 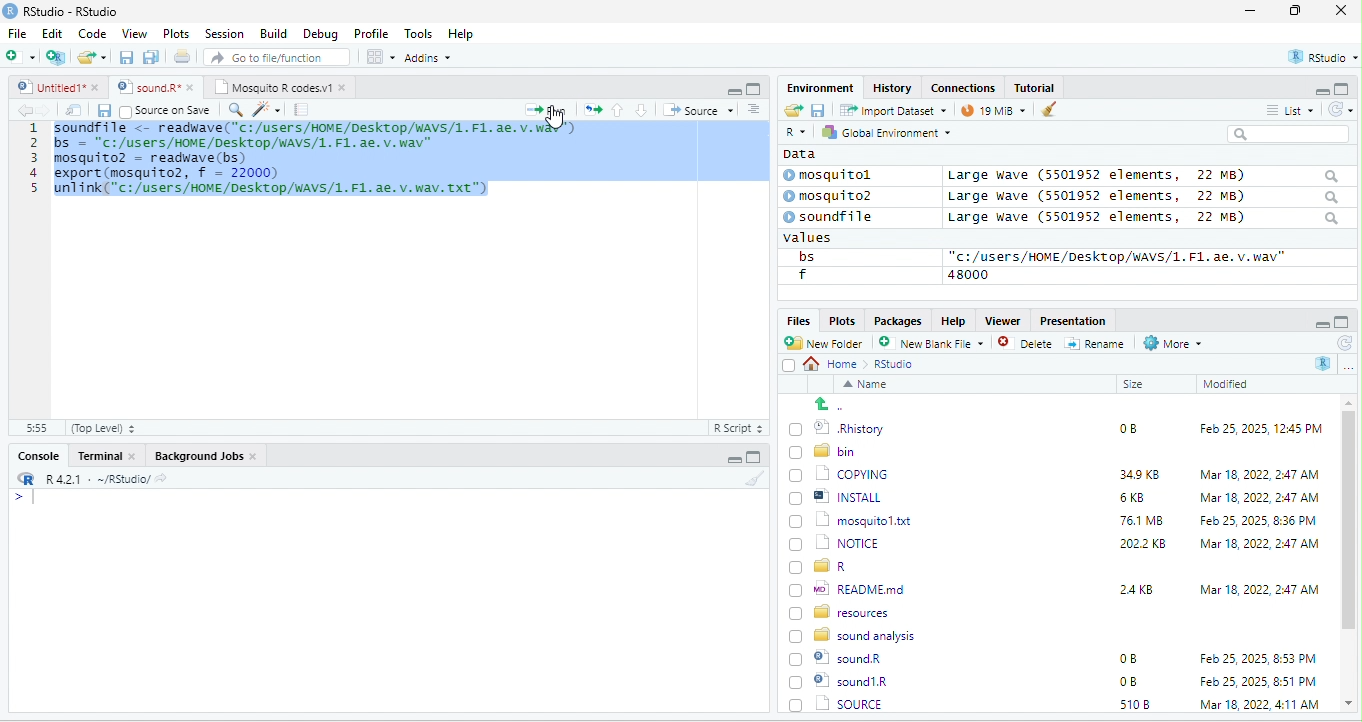 What do you see at coordinates (1341, 12) in the screenshot?
I see `close` at bounding box center [1341, 12].